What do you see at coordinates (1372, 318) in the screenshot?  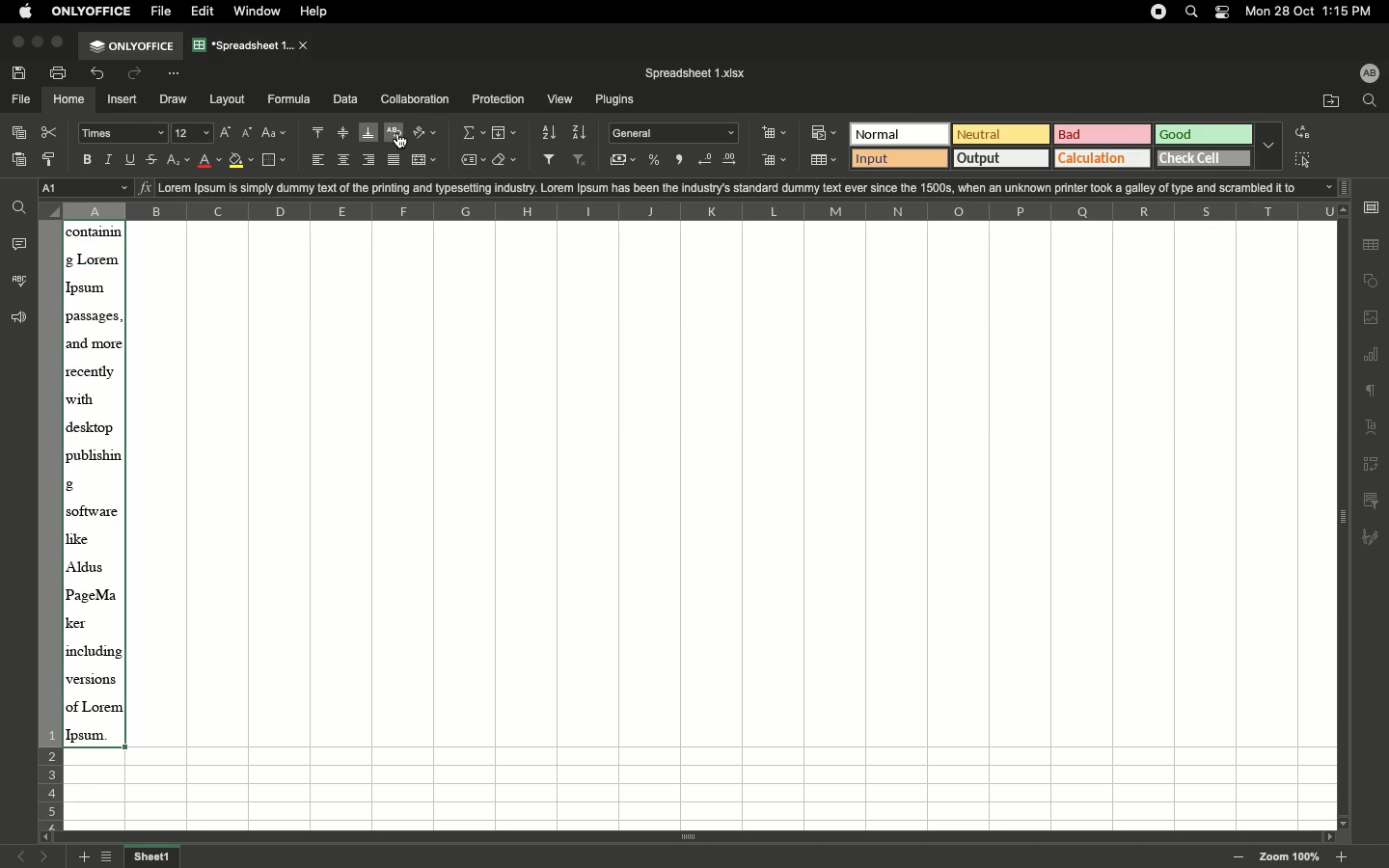 I see `image settings` at bounding box center [1372, 318].